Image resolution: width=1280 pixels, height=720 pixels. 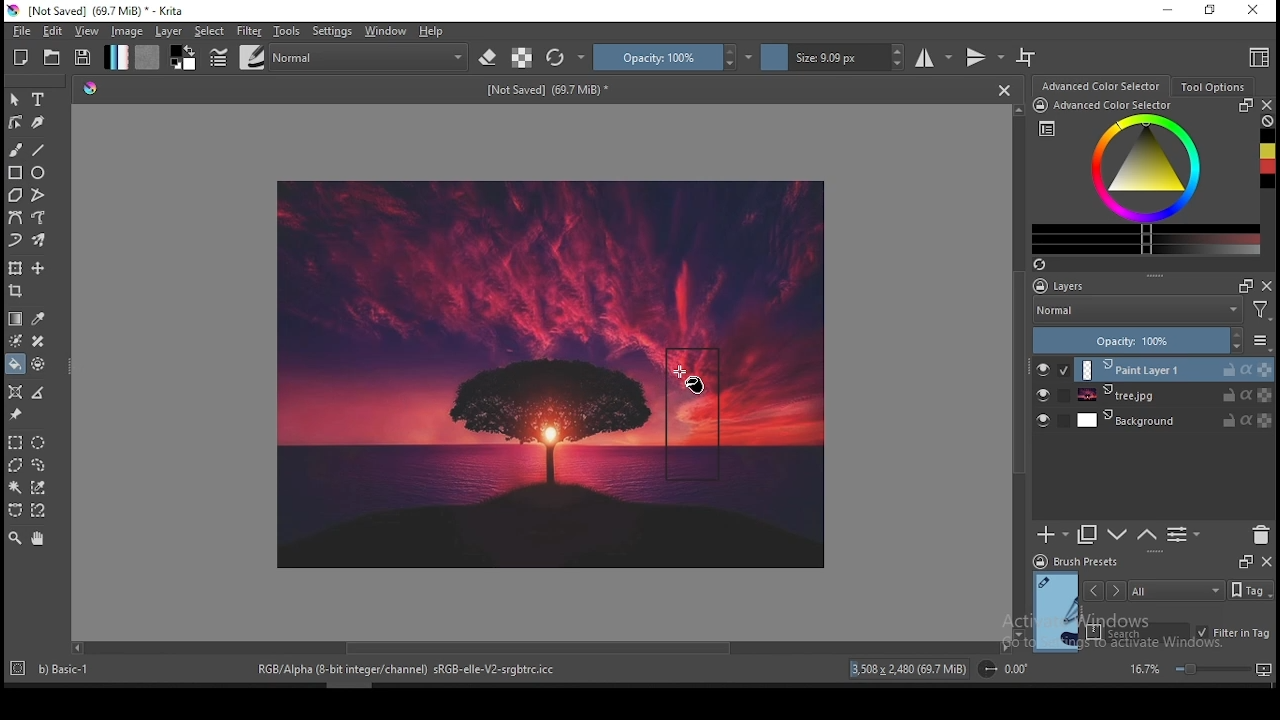 I want to click on image, so click(x=745, y=529).